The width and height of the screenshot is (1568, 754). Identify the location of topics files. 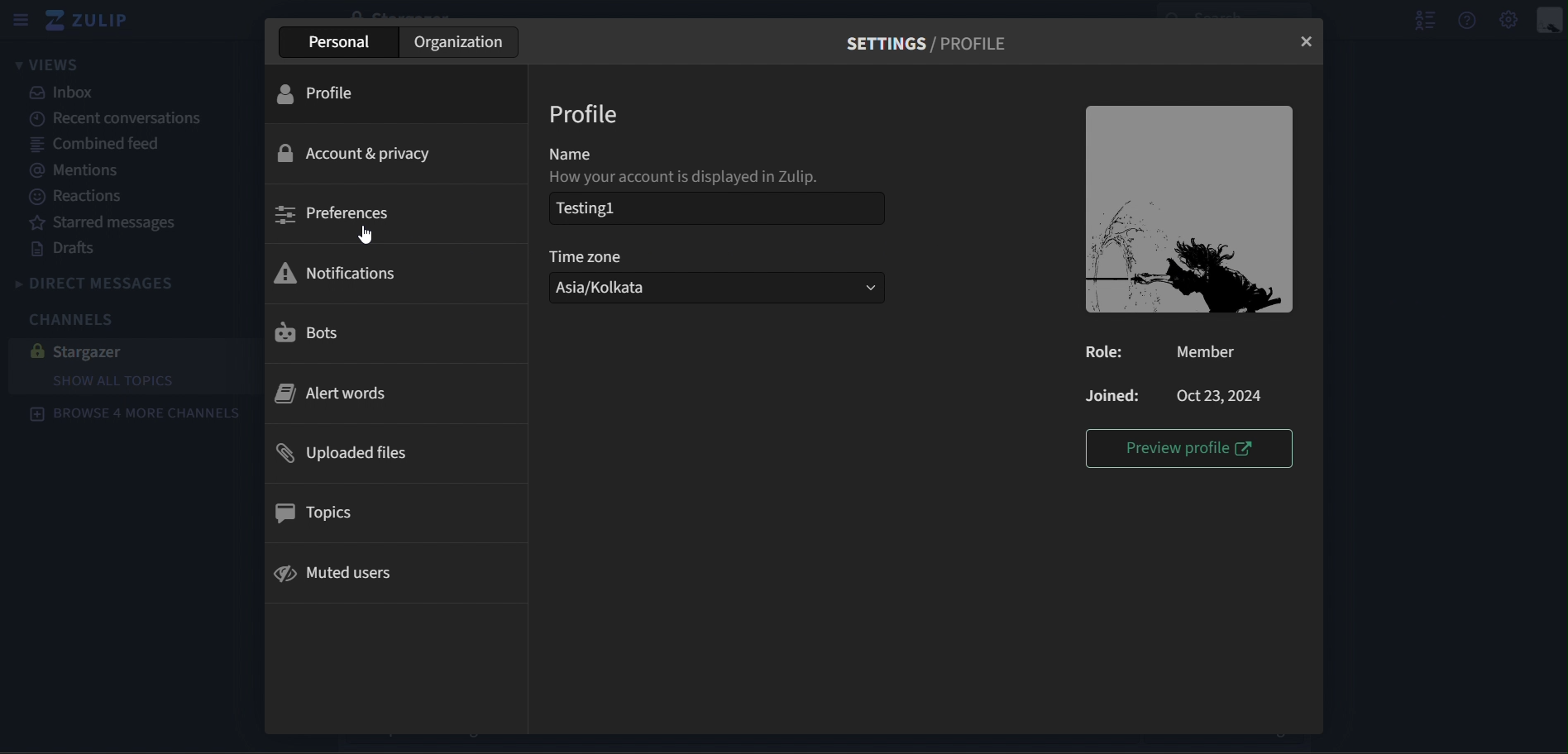
(319, 513).